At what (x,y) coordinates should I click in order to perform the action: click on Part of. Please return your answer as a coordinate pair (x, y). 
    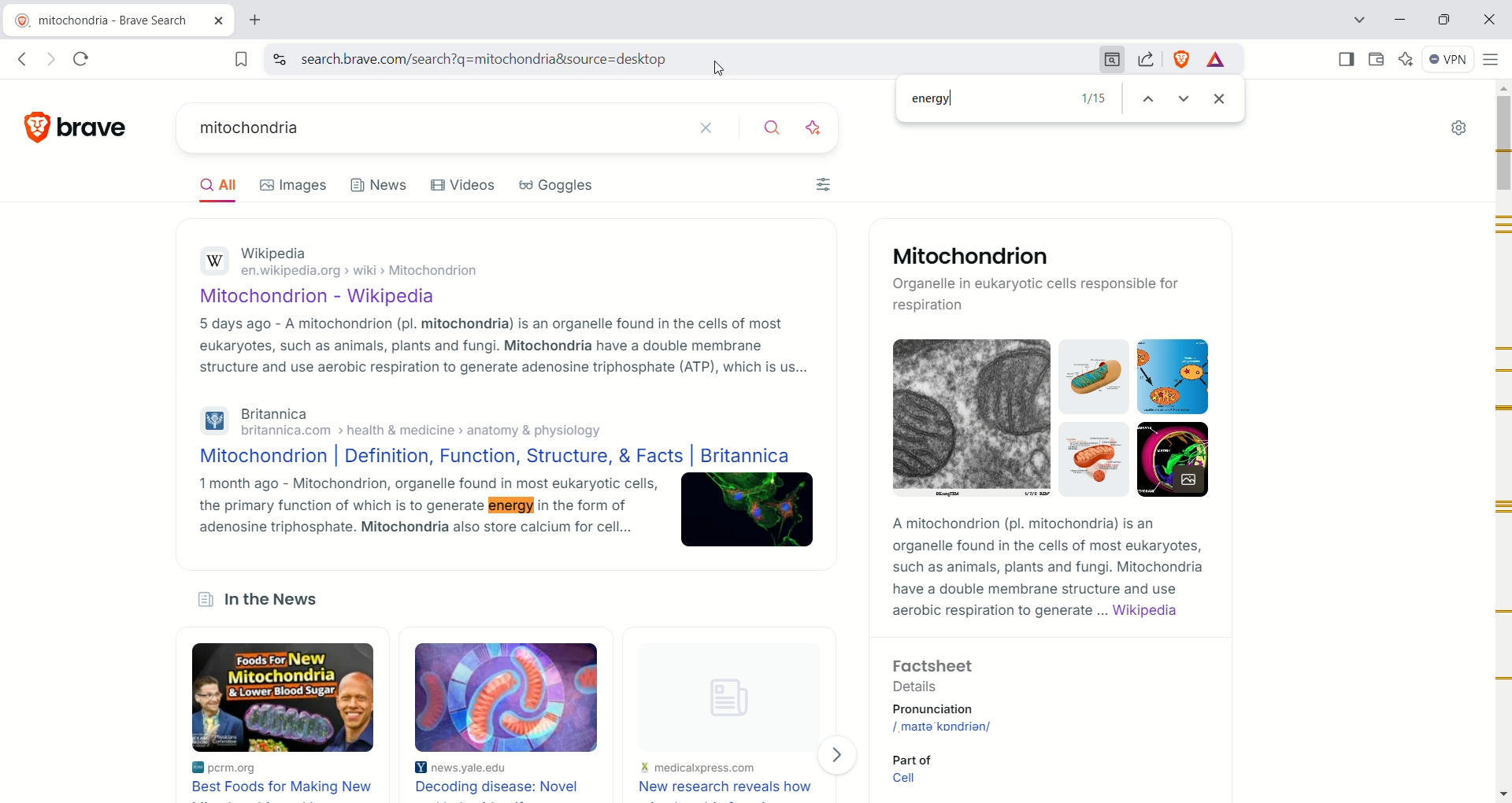
    Looking at the image, I should click on (928, 759).